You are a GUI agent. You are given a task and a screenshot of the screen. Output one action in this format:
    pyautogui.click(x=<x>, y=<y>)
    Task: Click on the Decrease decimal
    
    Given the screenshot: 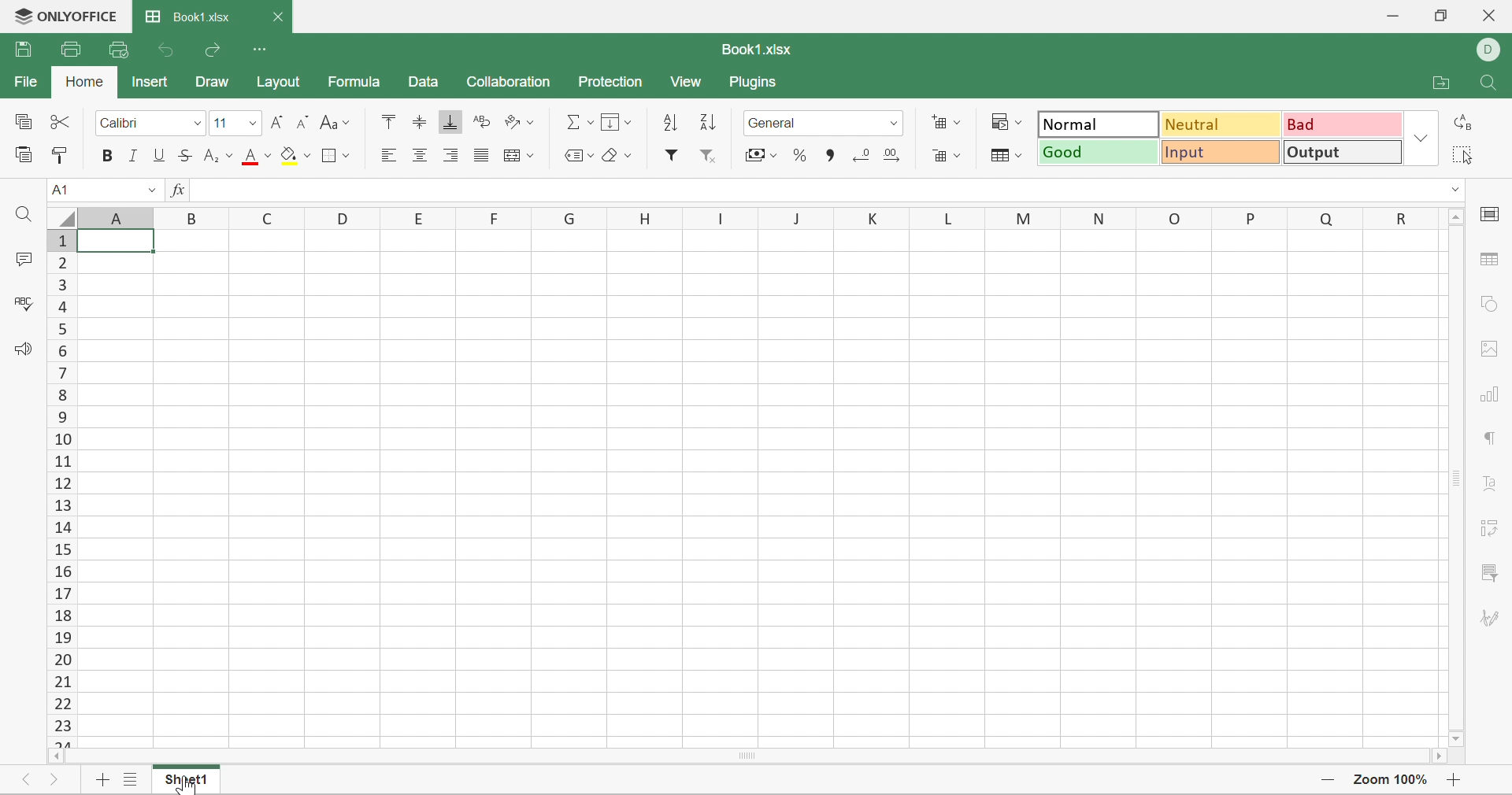 What is the action you would take?
    pyautogui.click(x=861, y=155)
    